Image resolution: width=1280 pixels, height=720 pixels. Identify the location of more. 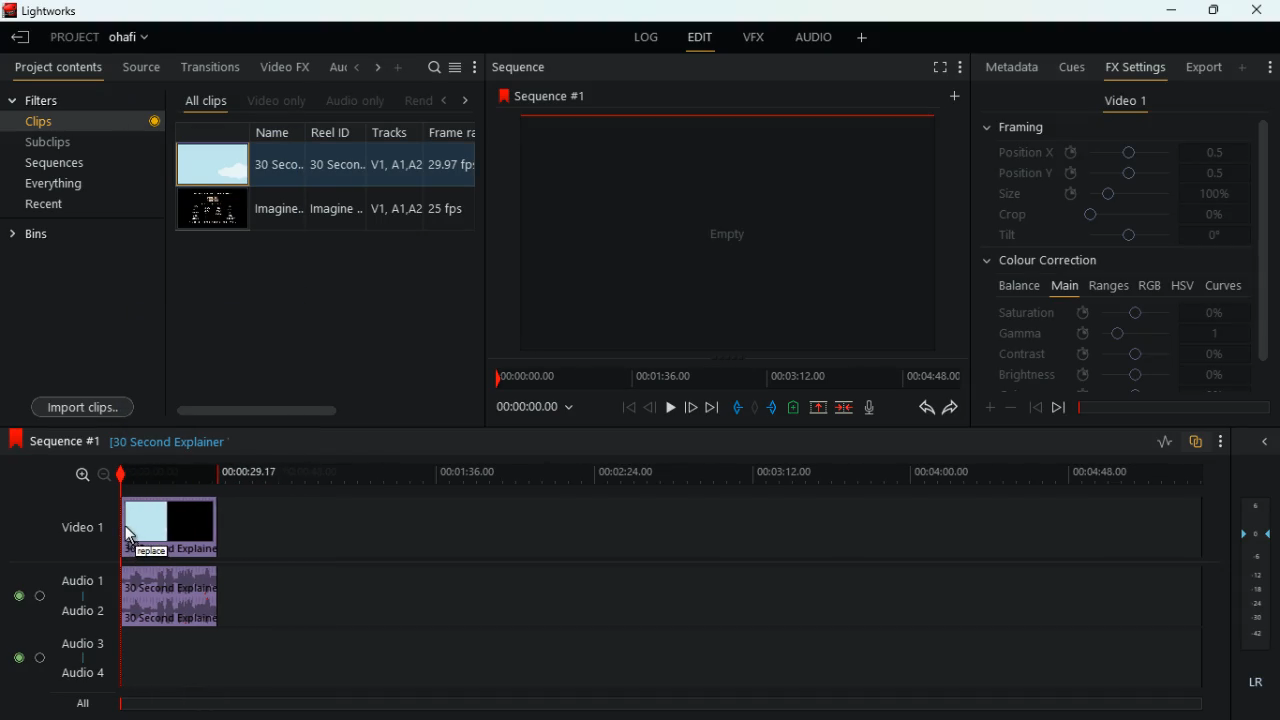
(400, 68).